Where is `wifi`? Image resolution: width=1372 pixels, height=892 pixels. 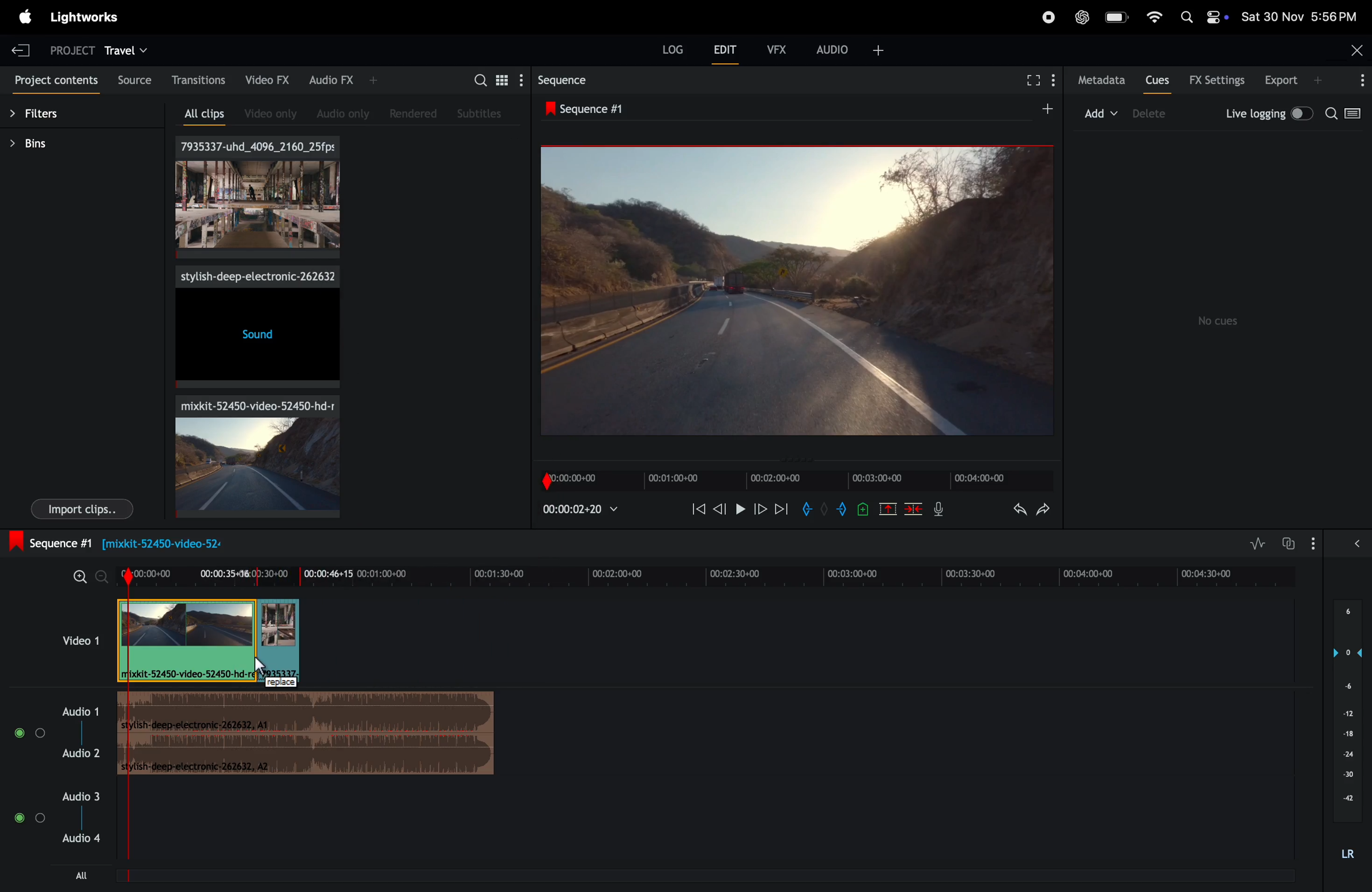
wifi is located at coordinates (1152, 16).